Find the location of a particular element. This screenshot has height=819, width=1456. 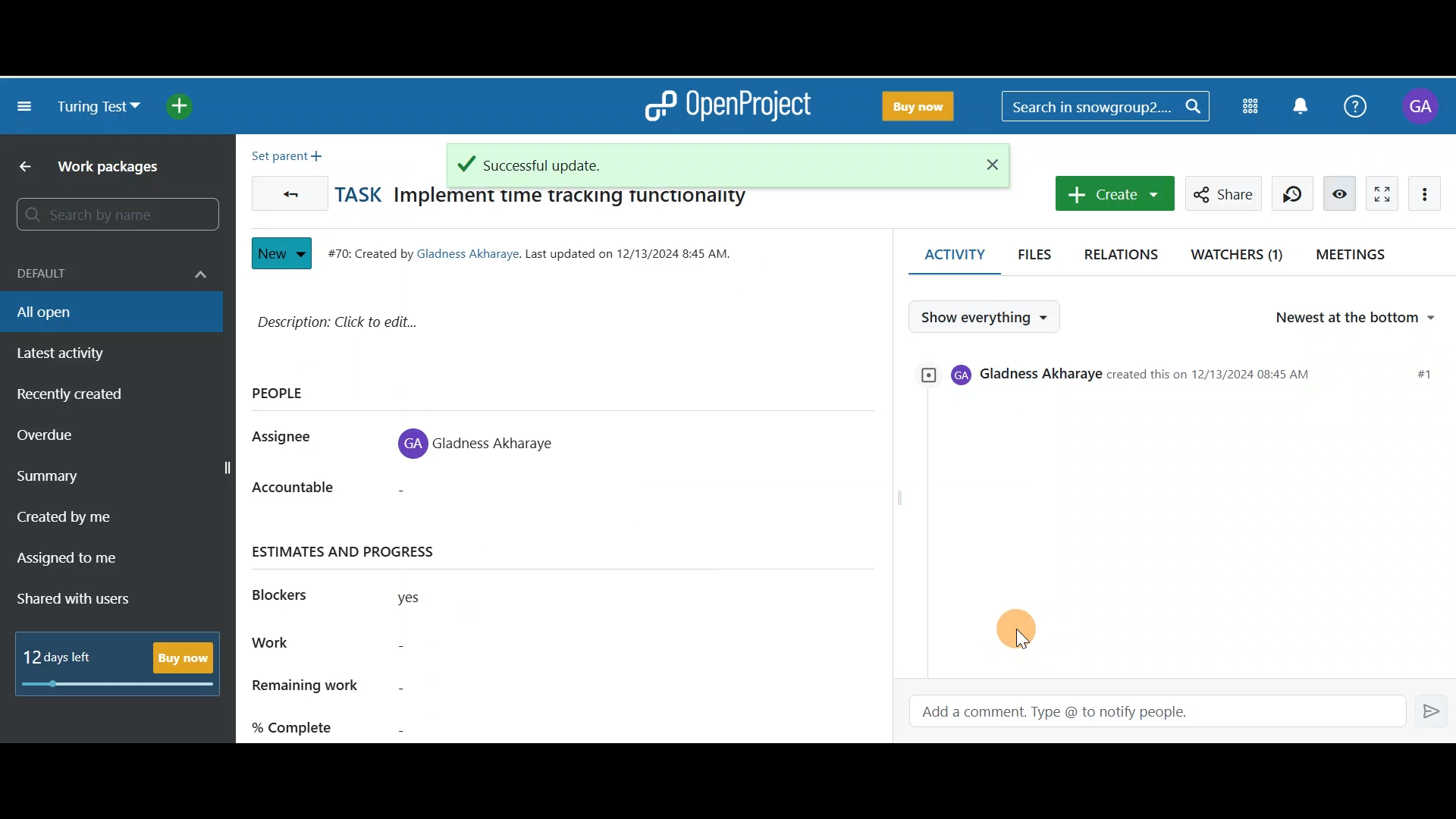

Account name is located at coordinates (1423, 107).